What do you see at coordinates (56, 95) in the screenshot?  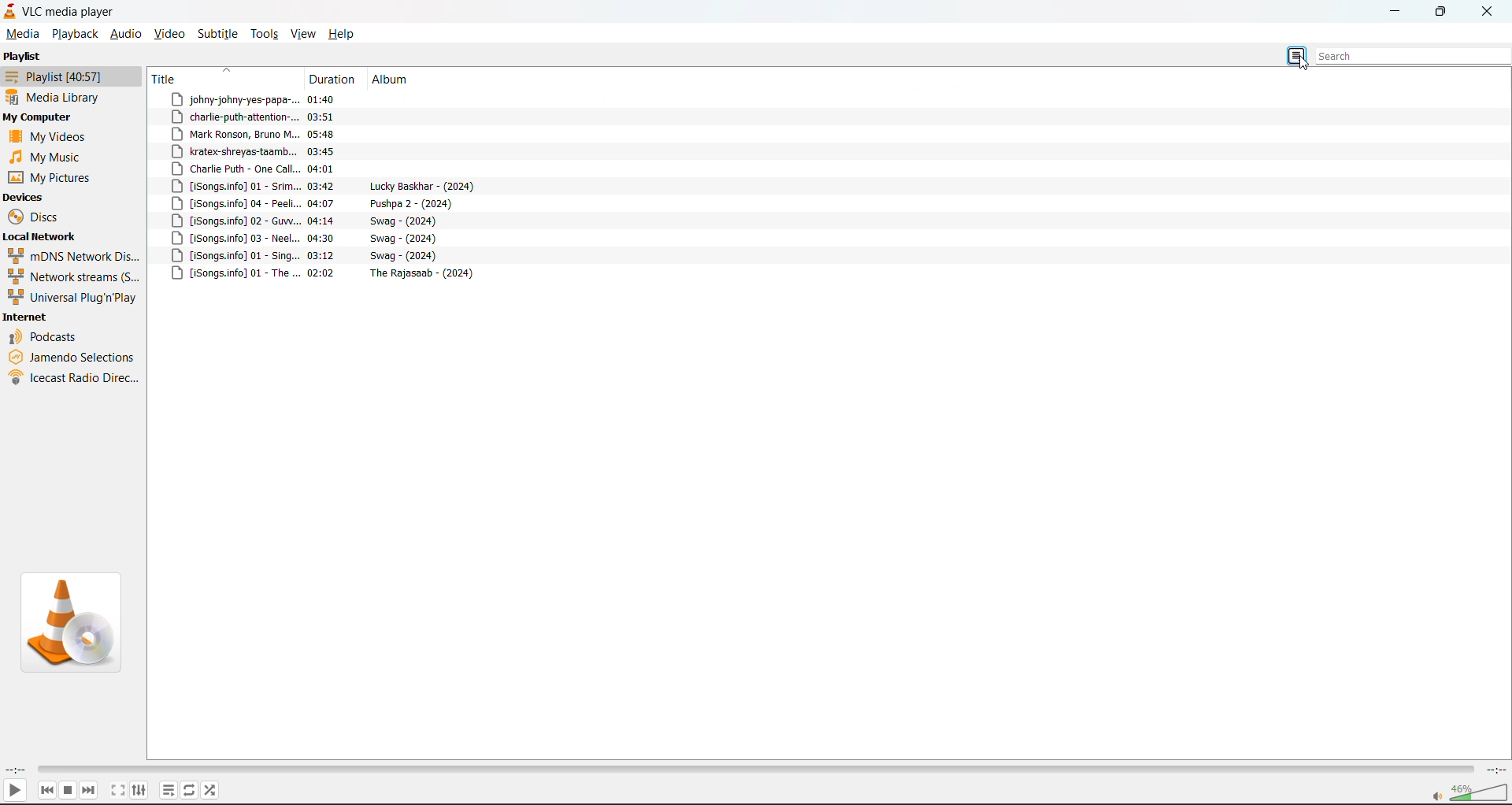 I see `media library` at bounding box center [56, 95].